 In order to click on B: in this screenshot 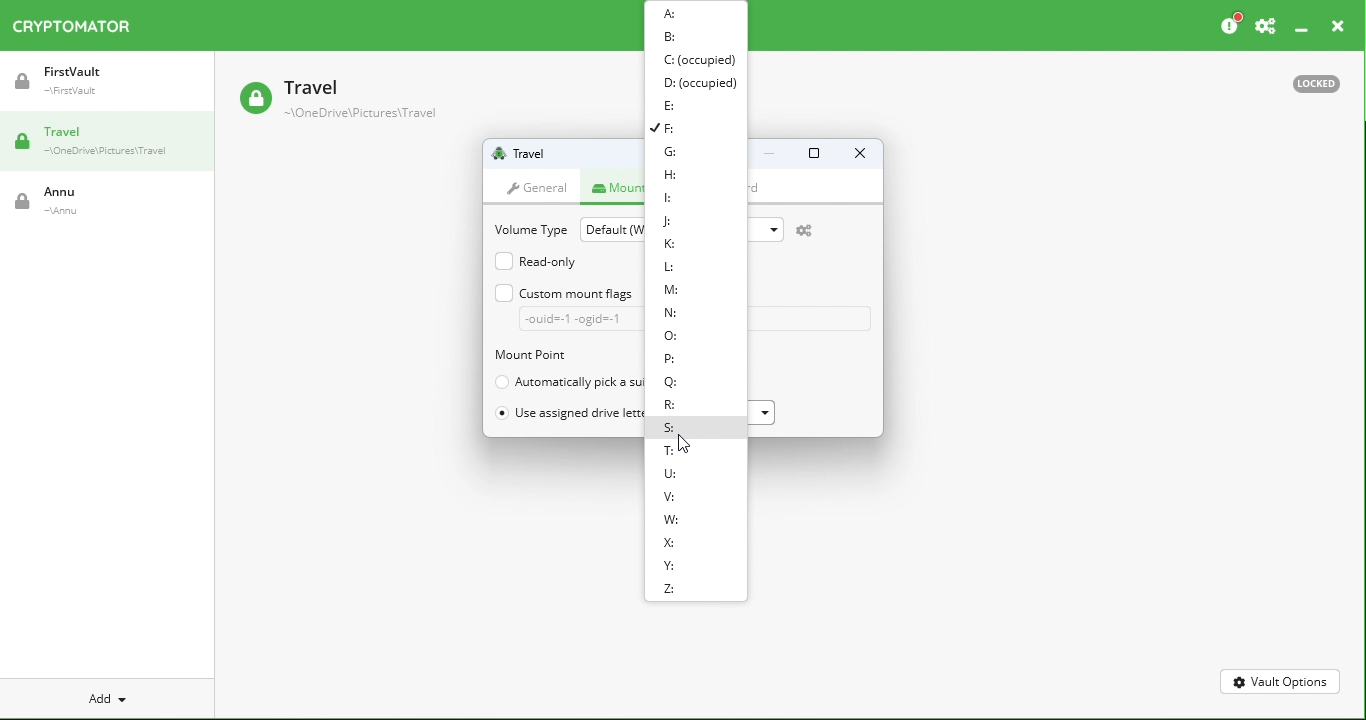, I will do `click(672, 37)`.